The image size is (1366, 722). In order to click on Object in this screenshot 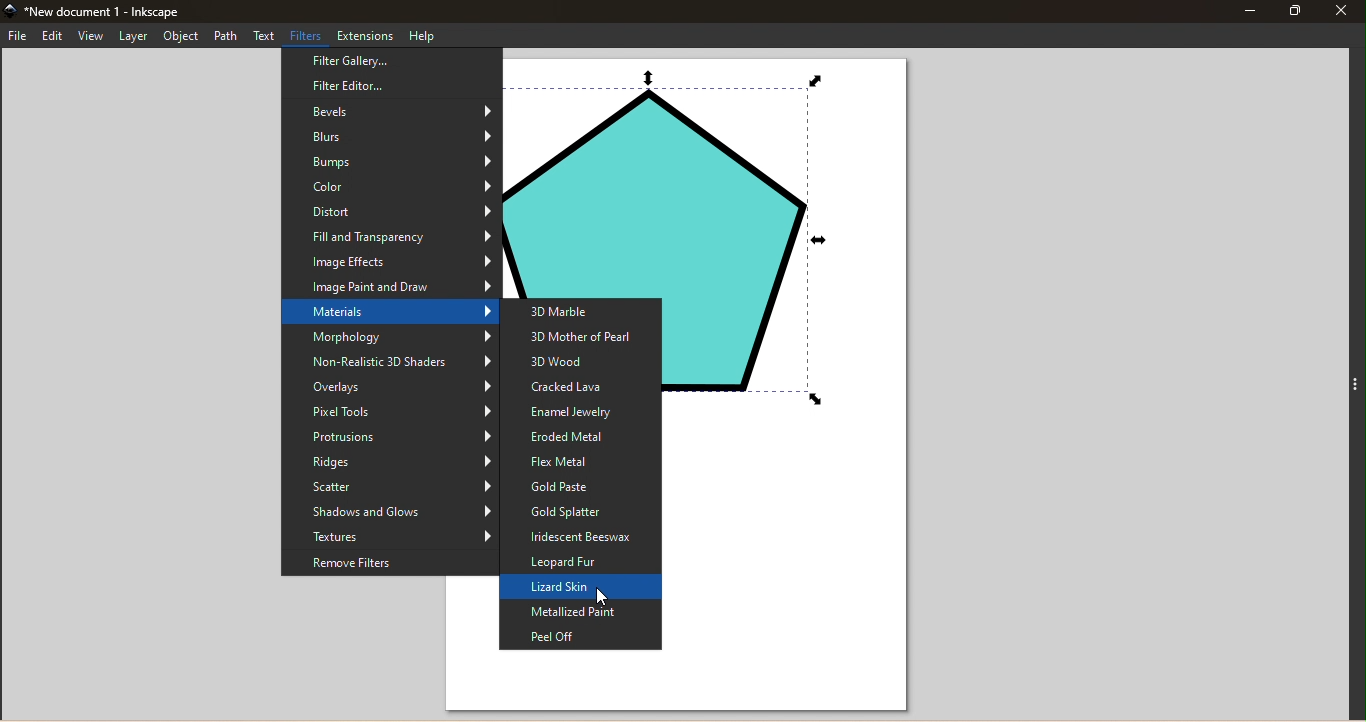, I will do `click(181, 36)`.